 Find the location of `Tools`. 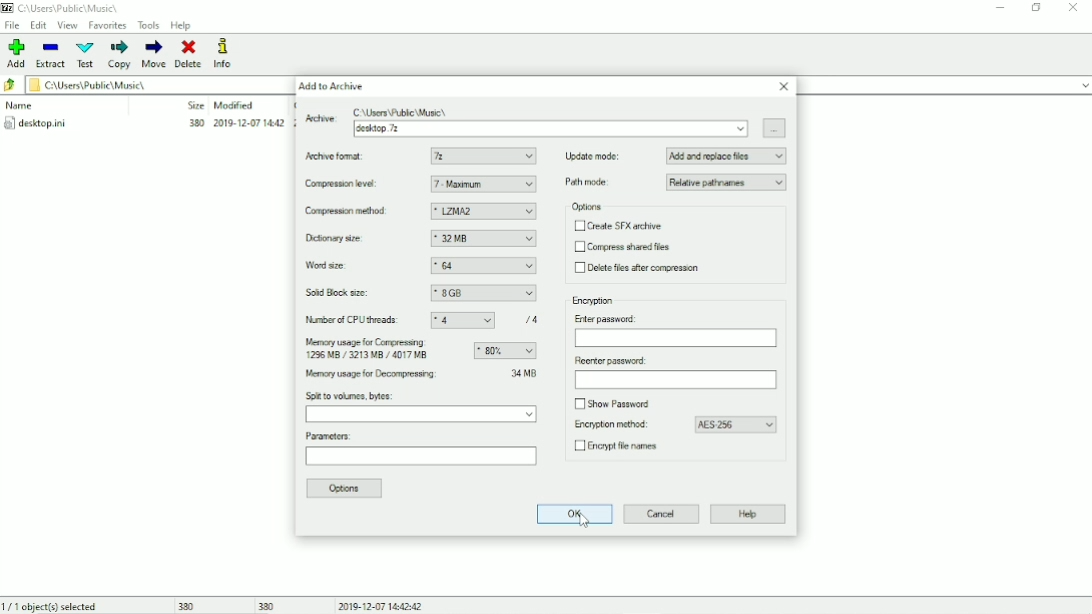

Tools is located at coordinates (149, 26).